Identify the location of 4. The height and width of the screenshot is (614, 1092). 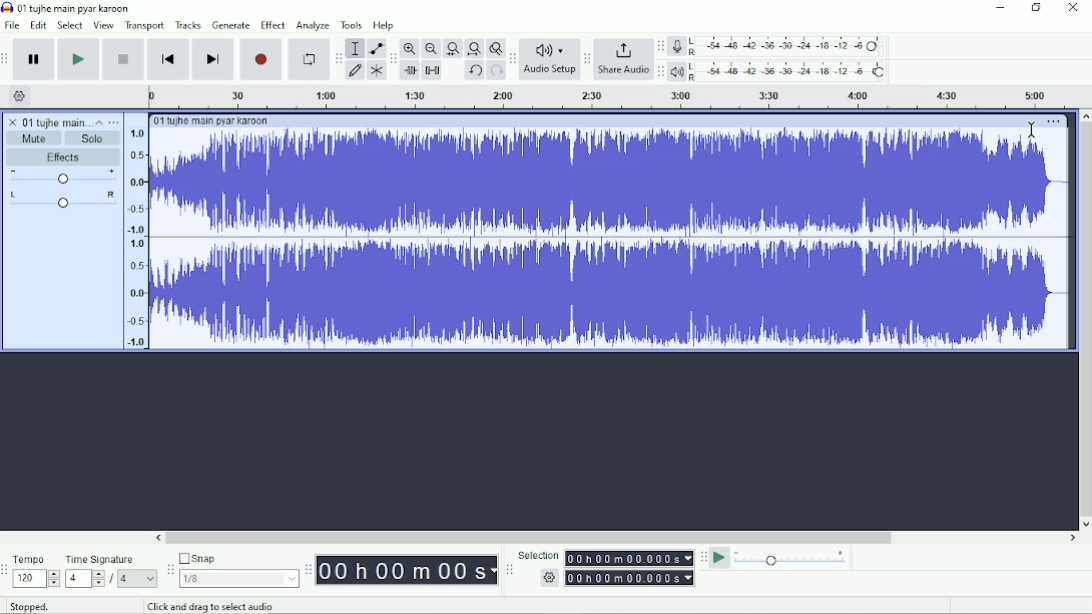
(84, 580).